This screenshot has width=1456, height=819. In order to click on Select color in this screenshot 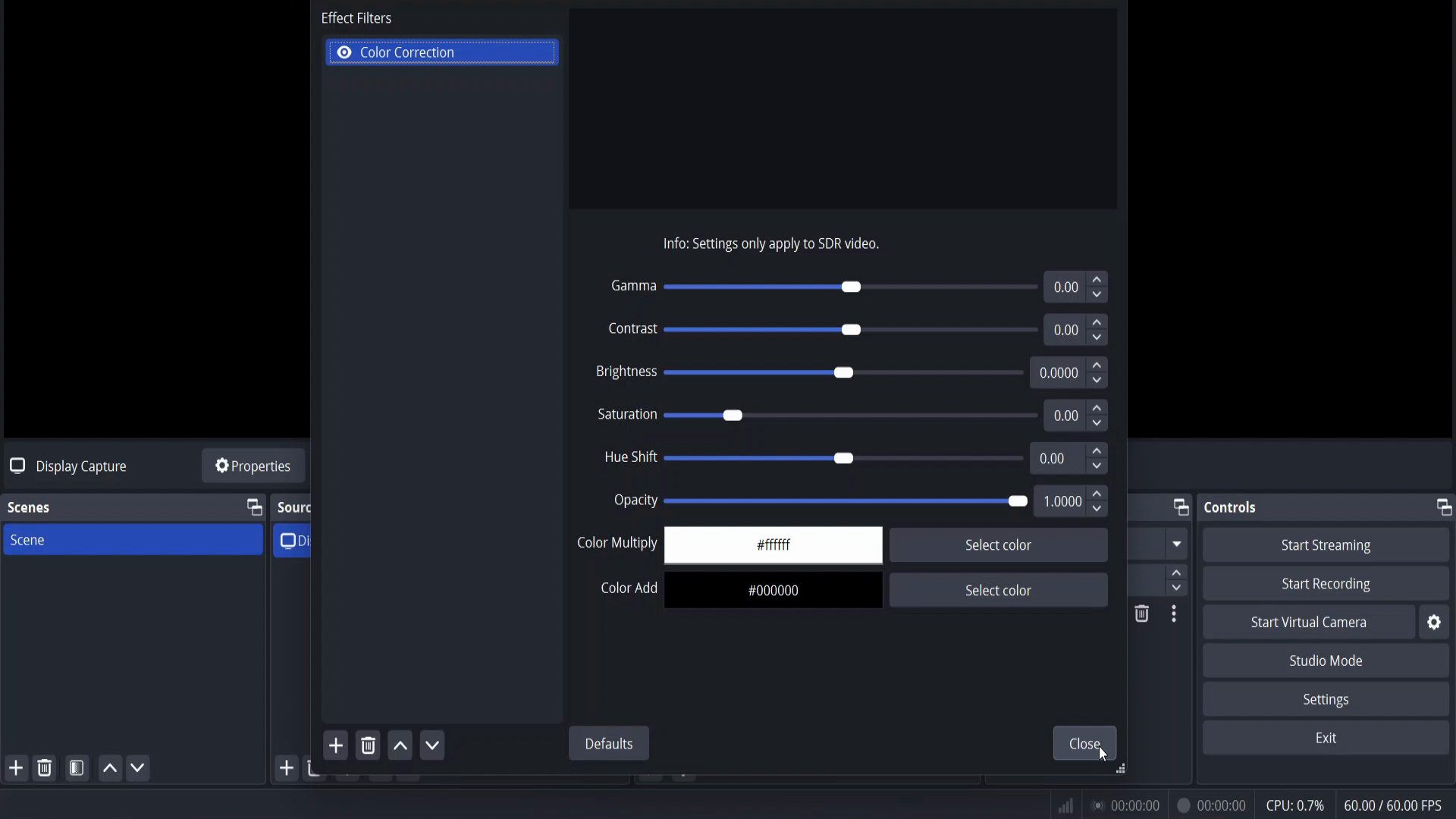, I will do `click(995, 542)`.